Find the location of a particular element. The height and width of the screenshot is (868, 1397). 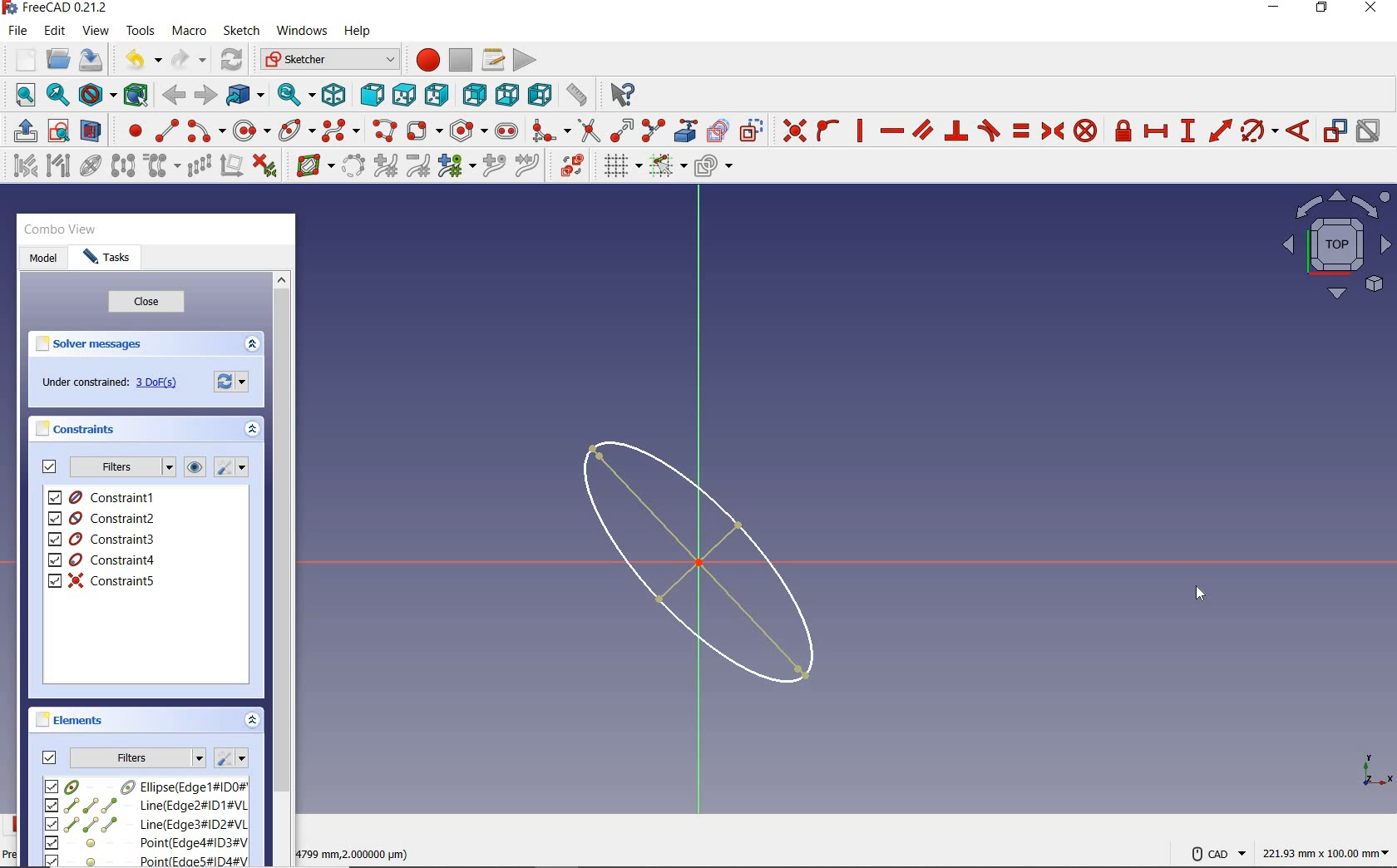

insert knot is located at coordinates (495, 166).